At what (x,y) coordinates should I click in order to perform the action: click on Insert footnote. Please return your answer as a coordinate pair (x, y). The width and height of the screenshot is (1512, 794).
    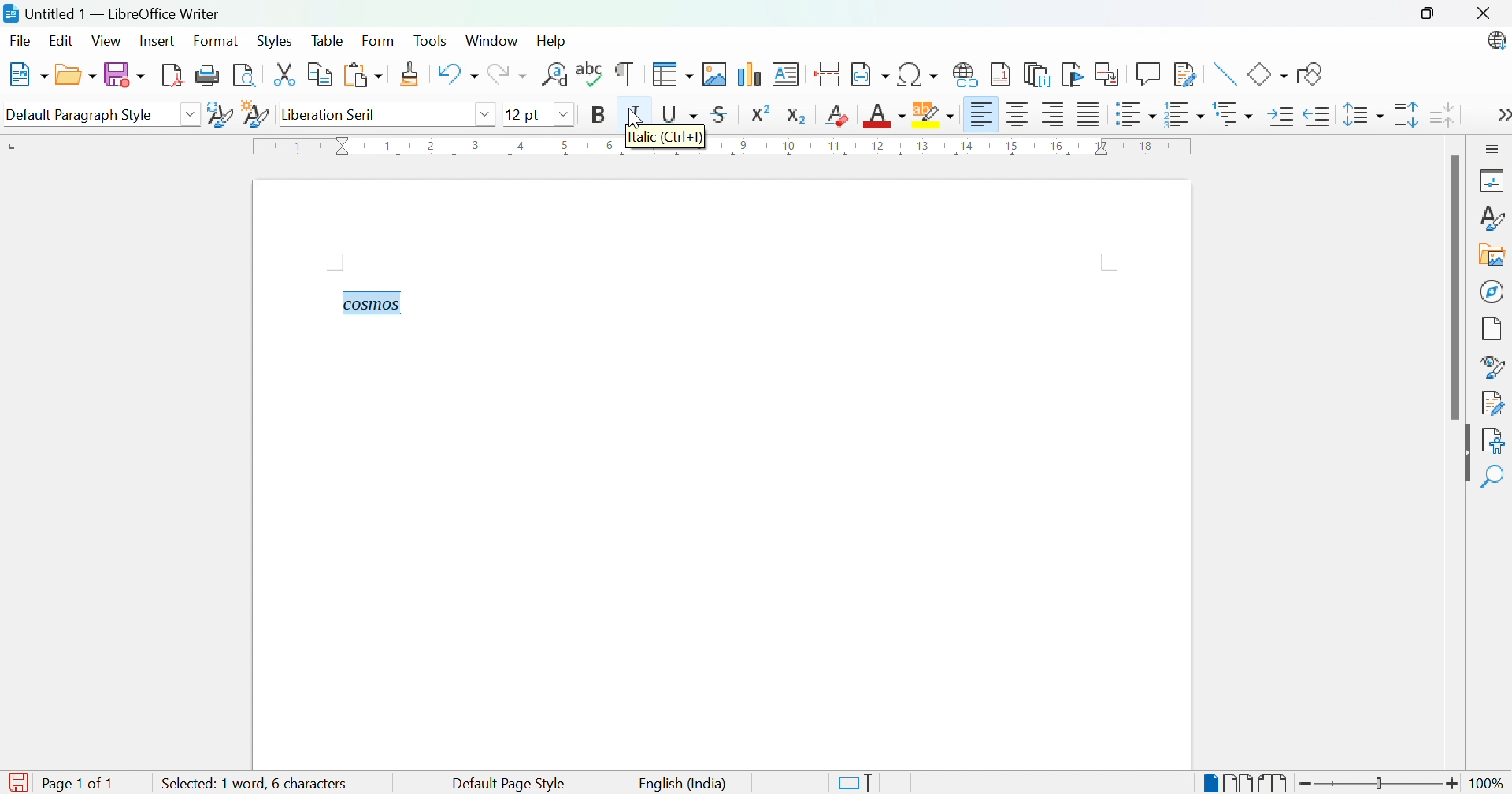
    Looking at the image, I should click on (1002, 73).